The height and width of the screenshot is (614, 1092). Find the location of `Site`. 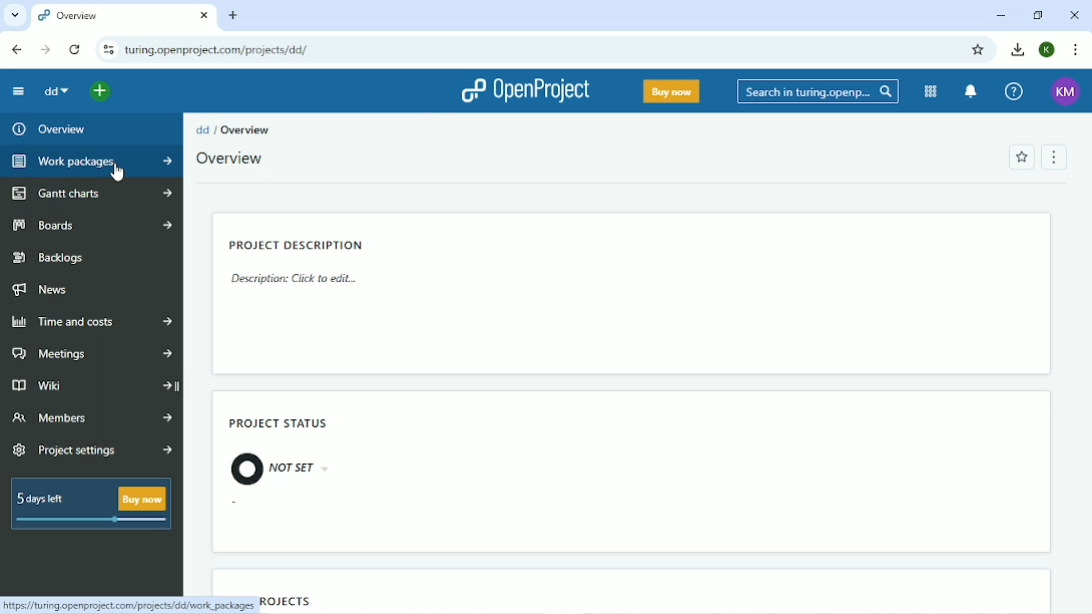

Site is located at coordinates (218, 50).